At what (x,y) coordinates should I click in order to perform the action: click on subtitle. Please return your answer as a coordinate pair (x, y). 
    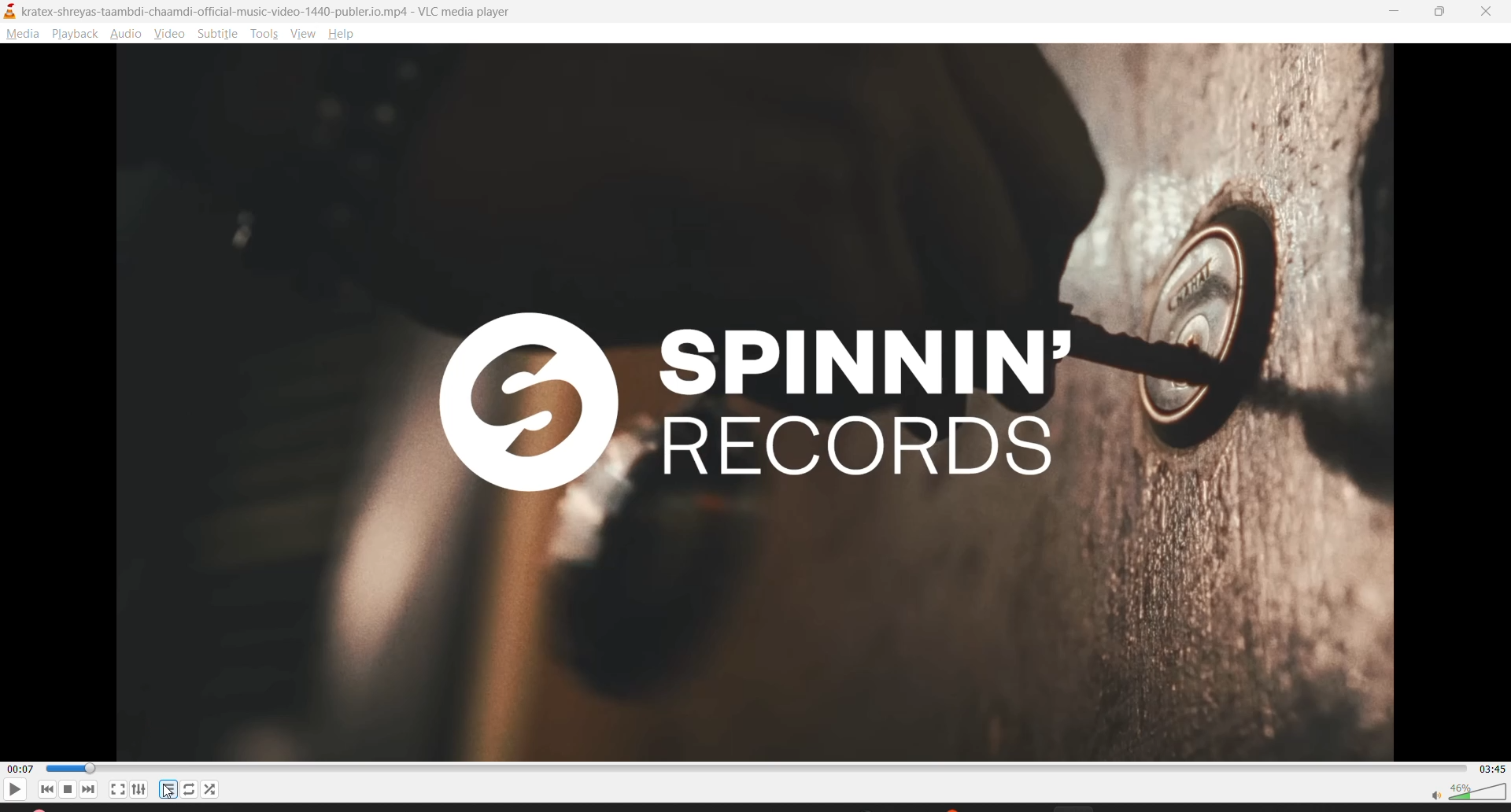
    Looking at the image, I should click on (218, 35).